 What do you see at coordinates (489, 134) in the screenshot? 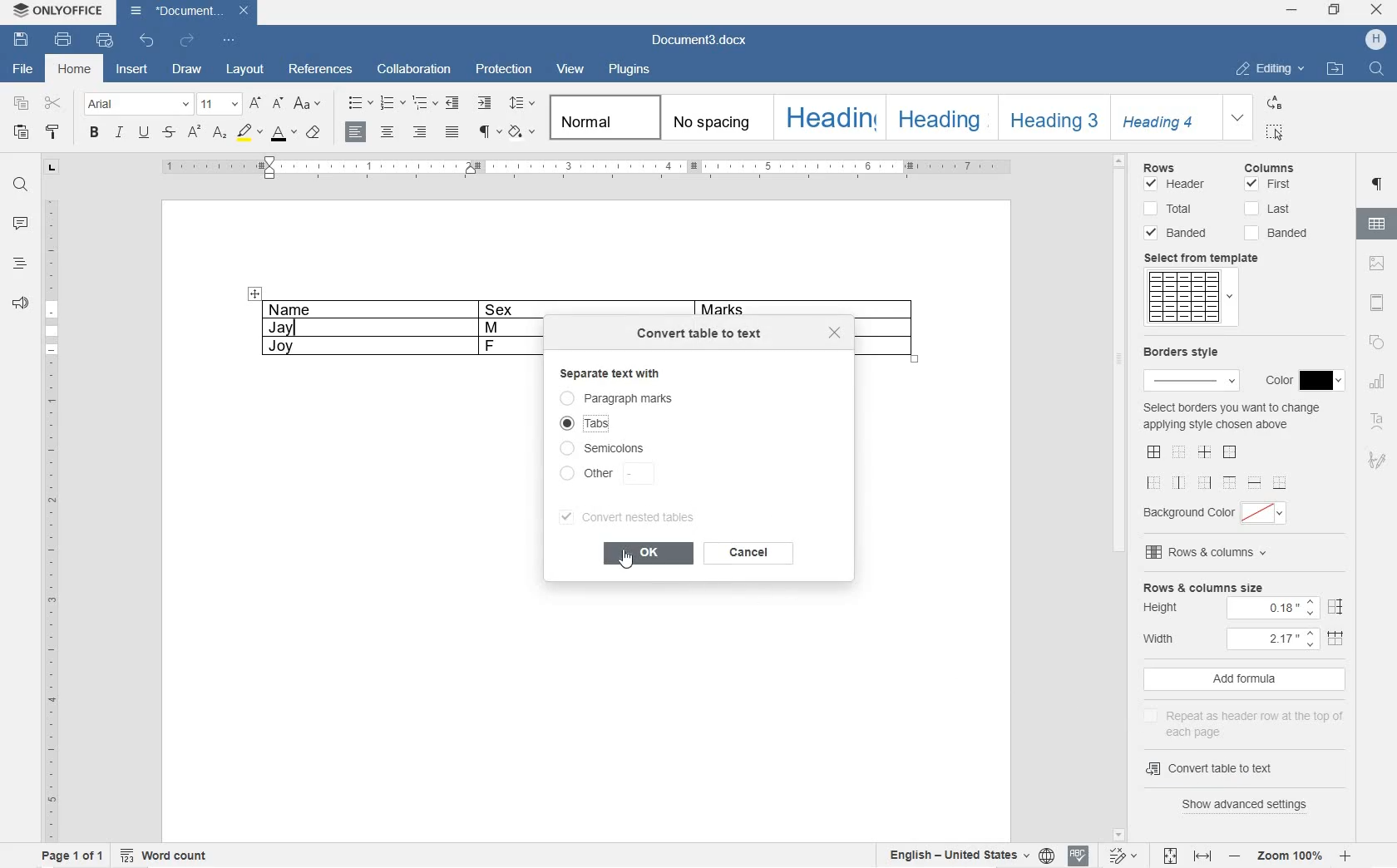
I see `NONPRINTING CHARACTERS` at bounding box center [489, 134].